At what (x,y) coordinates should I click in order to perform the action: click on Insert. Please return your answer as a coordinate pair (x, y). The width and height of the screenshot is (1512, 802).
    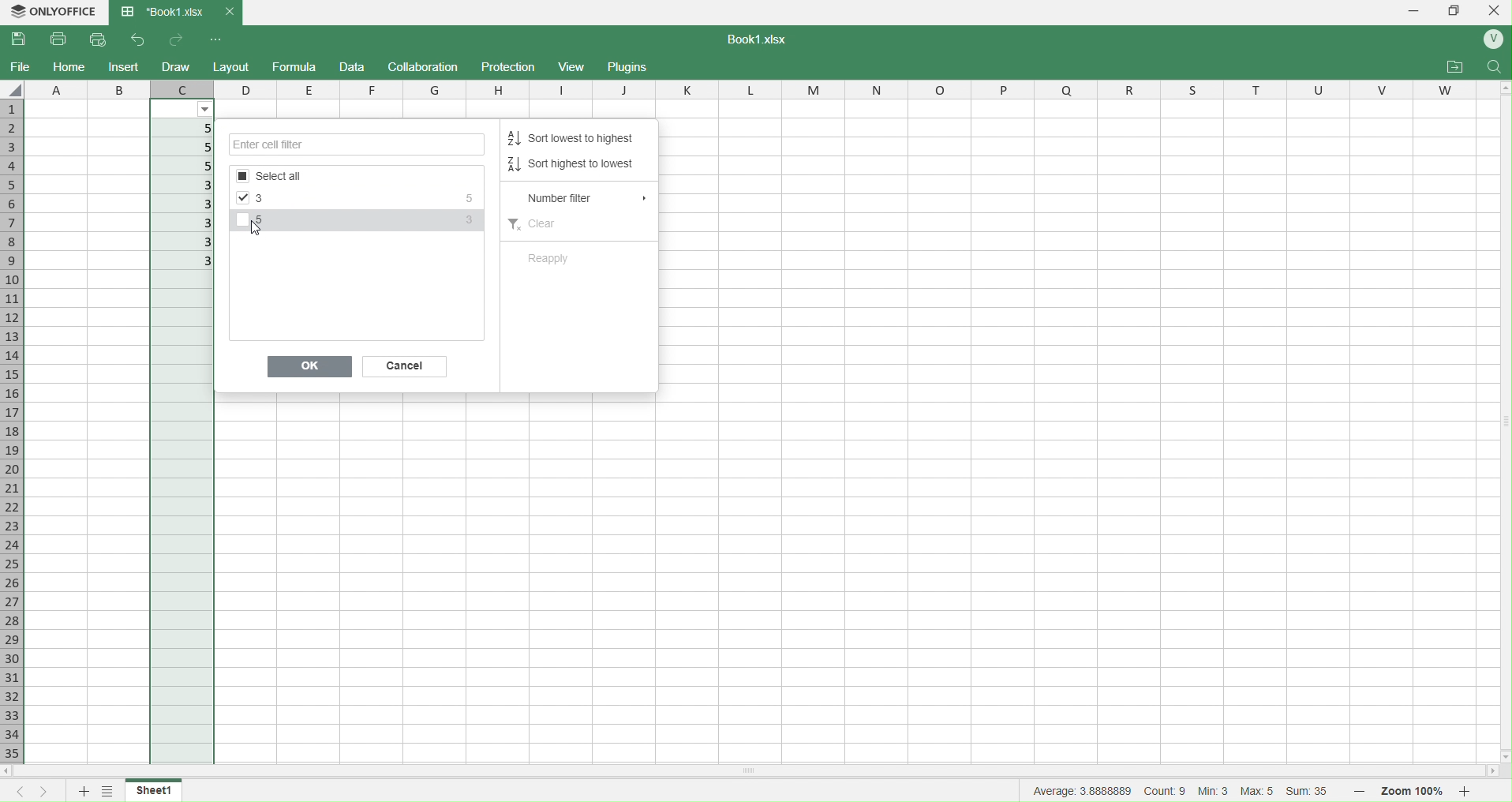
    Looking at the image, I should click on (125, 66).